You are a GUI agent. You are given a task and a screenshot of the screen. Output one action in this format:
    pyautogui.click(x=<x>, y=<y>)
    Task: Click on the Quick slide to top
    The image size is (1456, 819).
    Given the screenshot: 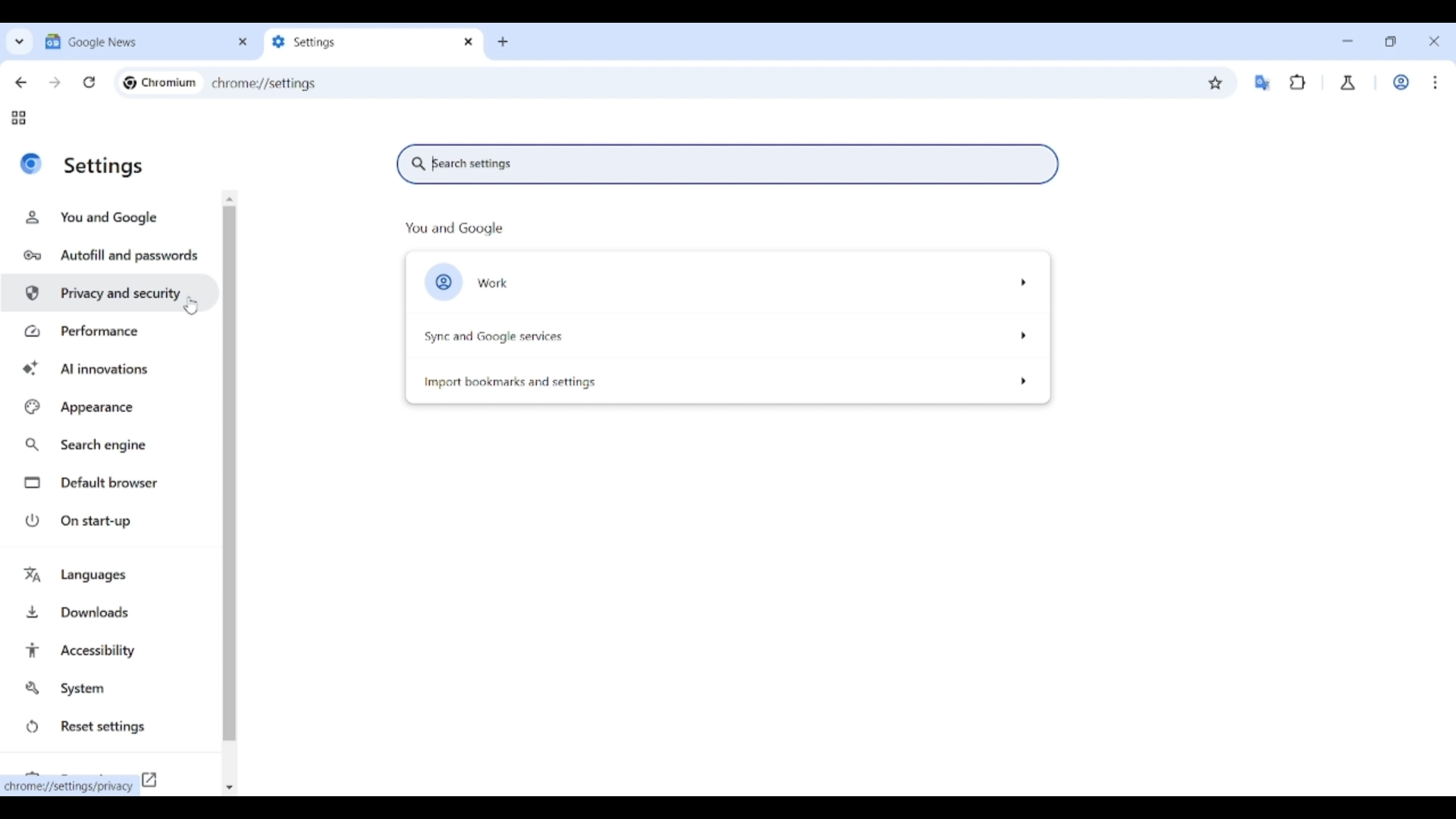 What is the action you would take?
    pyautogui.click(x=230, y=199)
    